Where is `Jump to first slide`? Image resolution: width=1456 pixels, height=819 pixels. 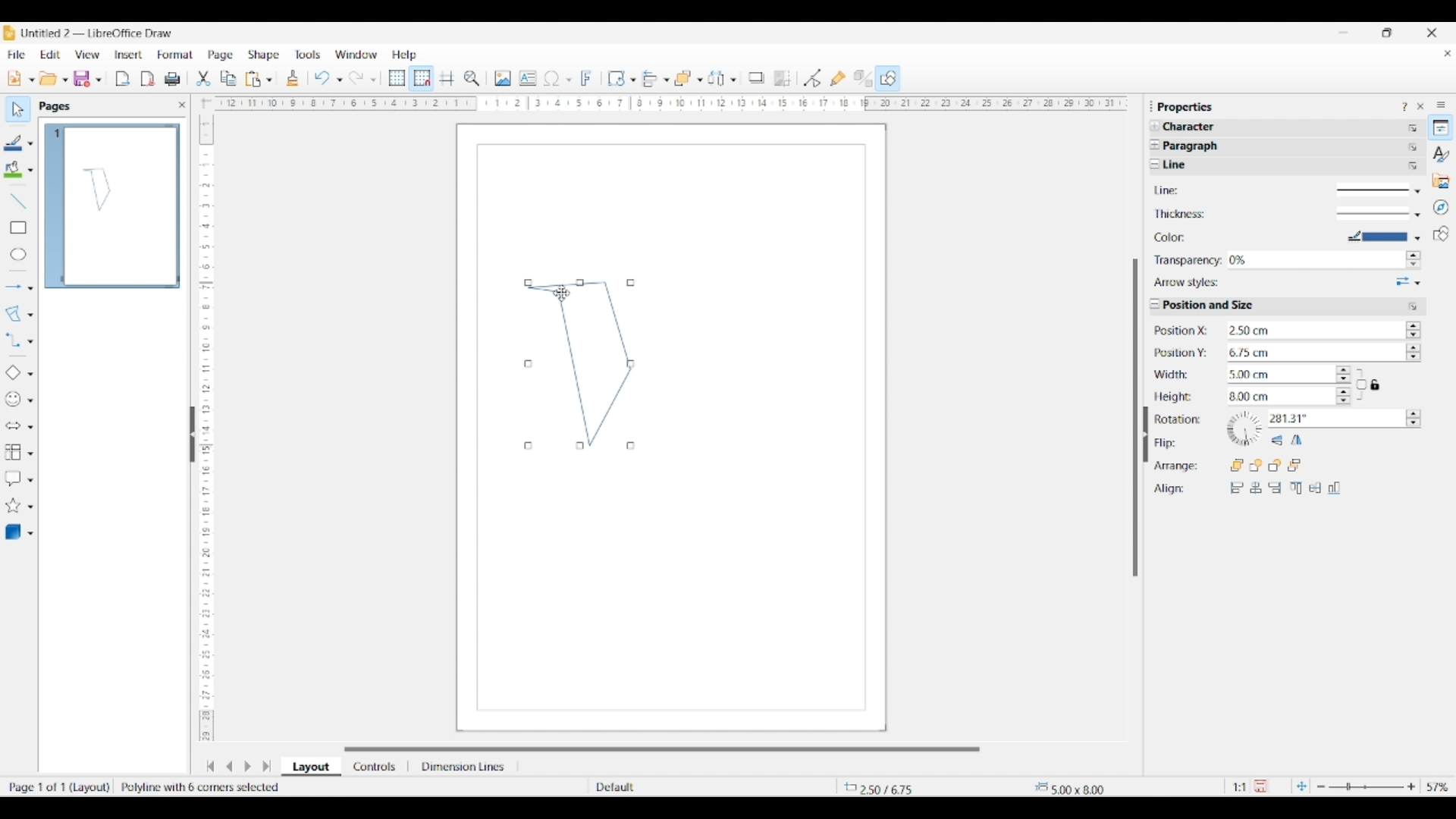
Jump to first slide is located at coordinates (210, 766).